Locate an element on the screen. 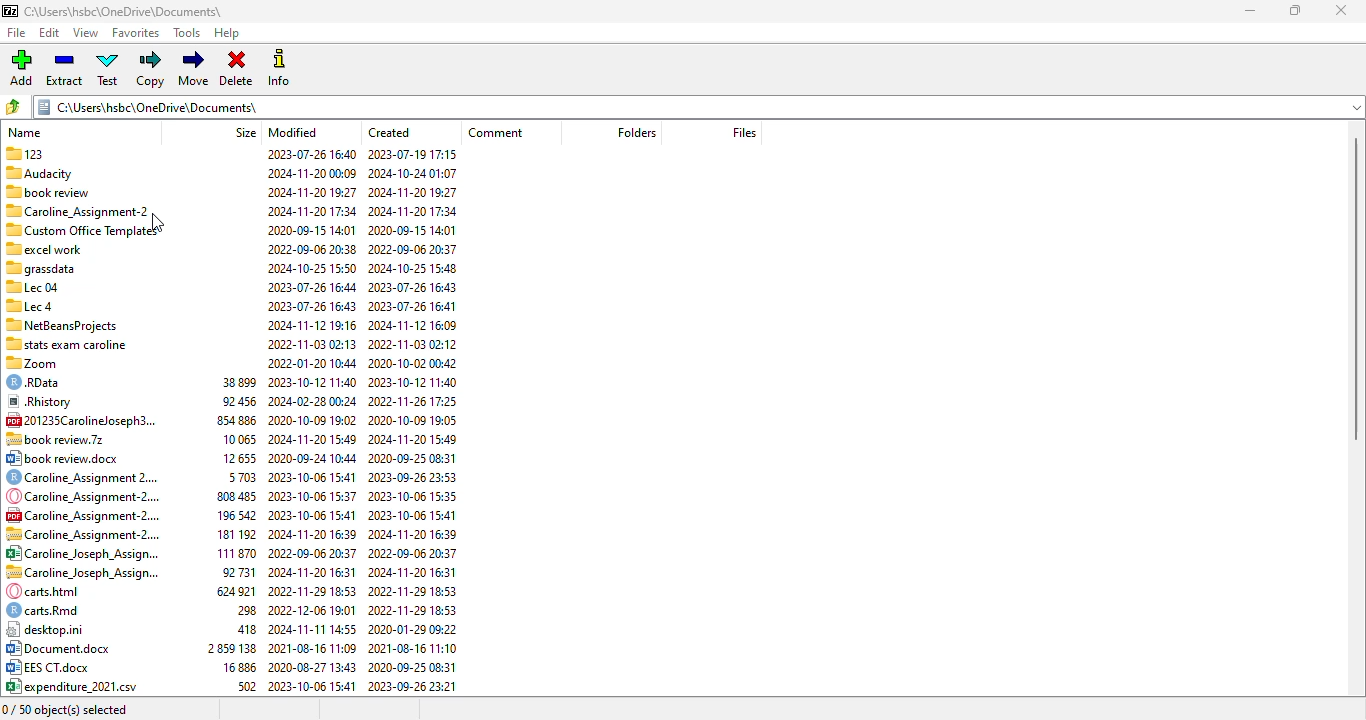 The image size is (1366, 720).  Rhistory is located at coordinates (44, 400).